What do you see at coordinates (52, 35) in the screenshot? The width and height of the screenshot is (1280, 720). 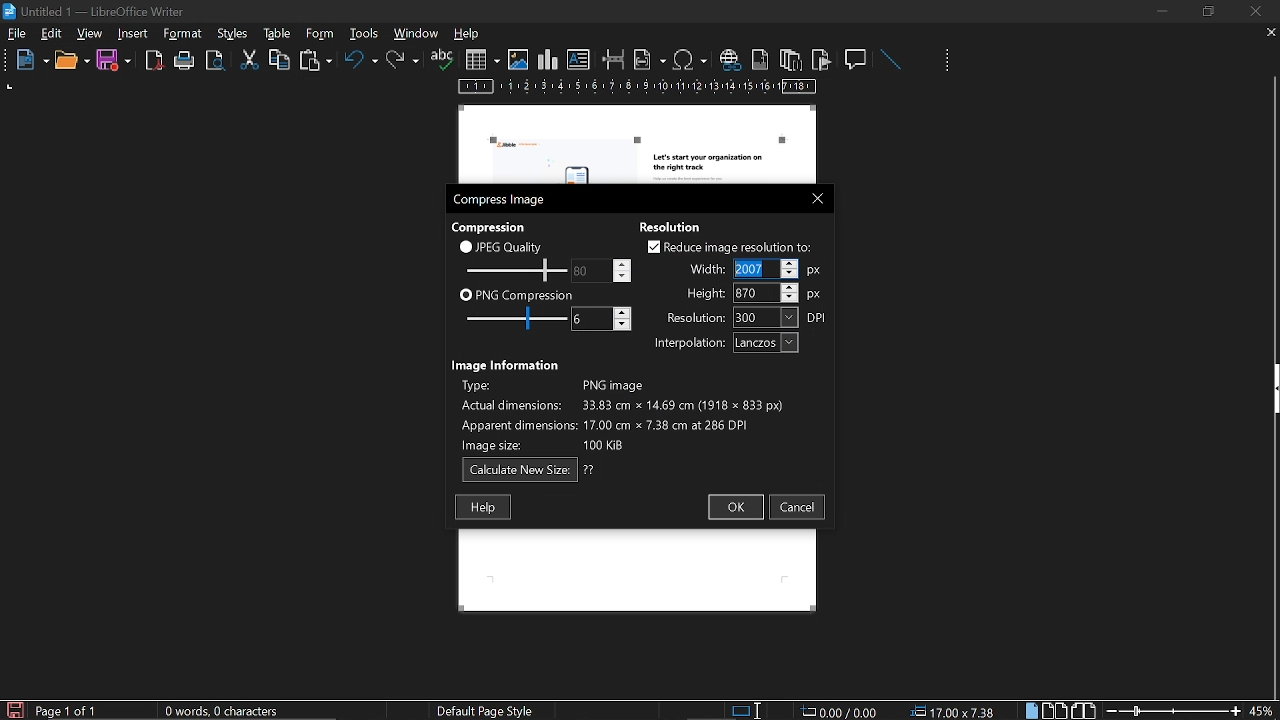 I see `edit` at bounding box center [52, 35].